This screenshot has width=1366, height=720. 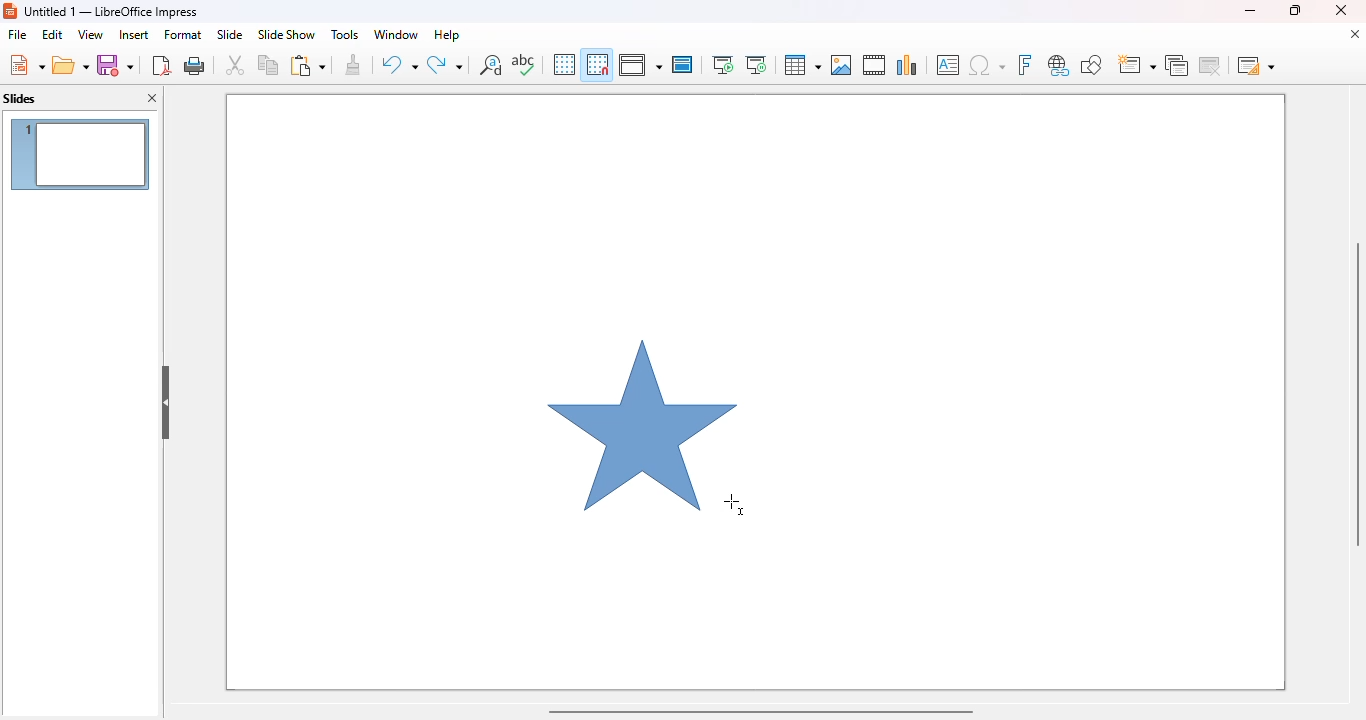 I want to click on export directly as PDF, so click(x=161, y=65).